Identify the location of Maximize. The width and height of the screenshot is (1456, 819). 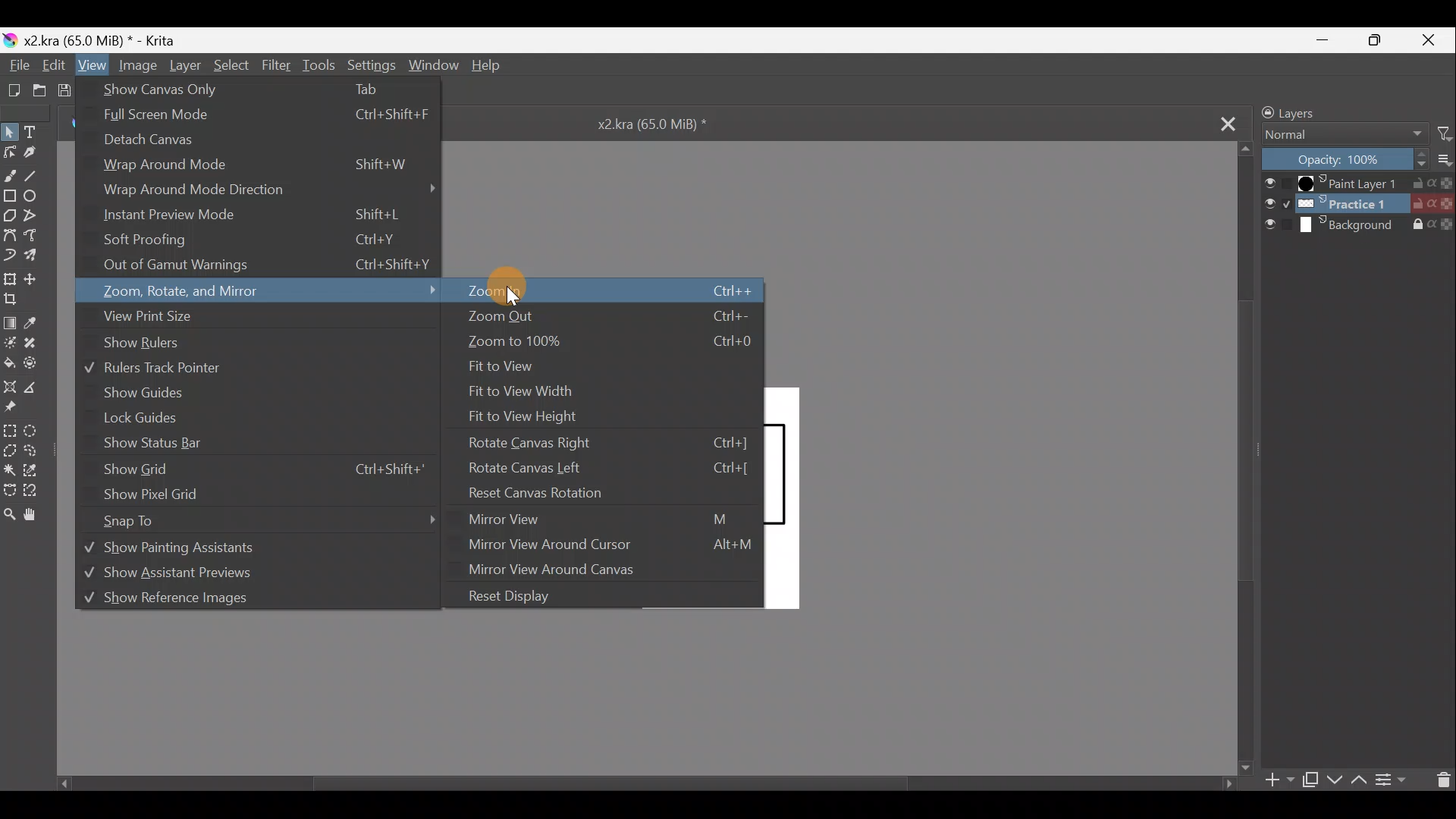
(1373, 41).